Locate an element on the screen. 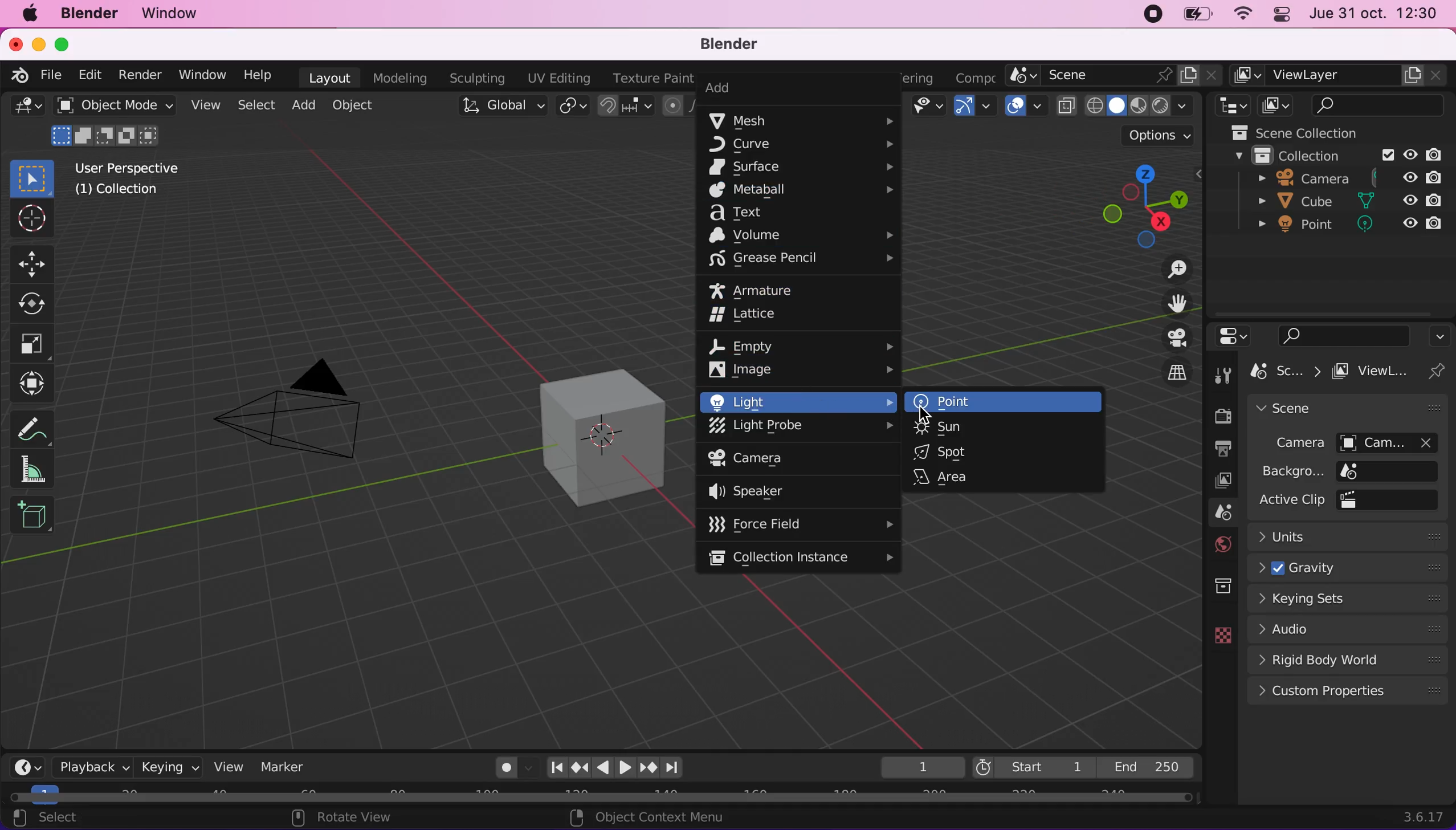 This screenshot has height=830, width=1456. sun is located at coordinates (985, 426).